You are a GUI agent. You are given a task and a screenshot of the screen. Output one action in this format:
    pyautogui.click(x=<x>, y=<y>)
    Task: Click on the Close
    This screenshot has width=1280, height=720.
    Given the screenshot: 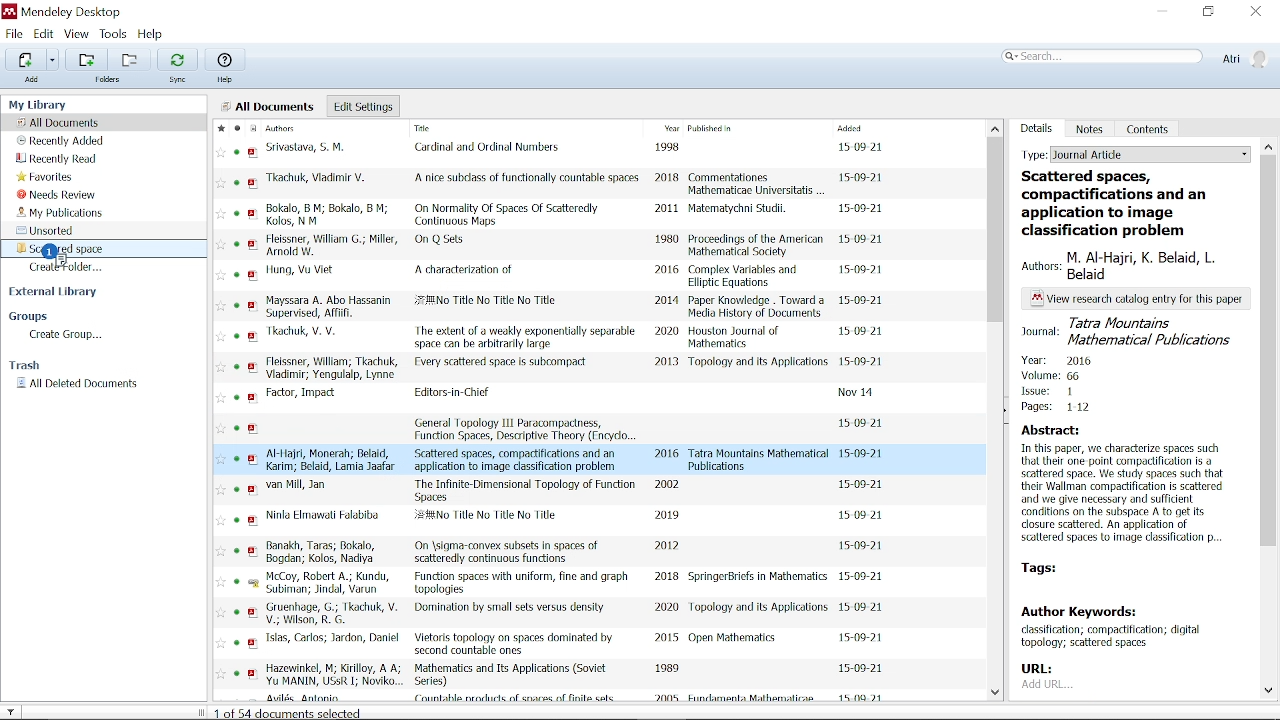 What is the action you would take?
    pyautogui.click(x=1257, y=12)
    